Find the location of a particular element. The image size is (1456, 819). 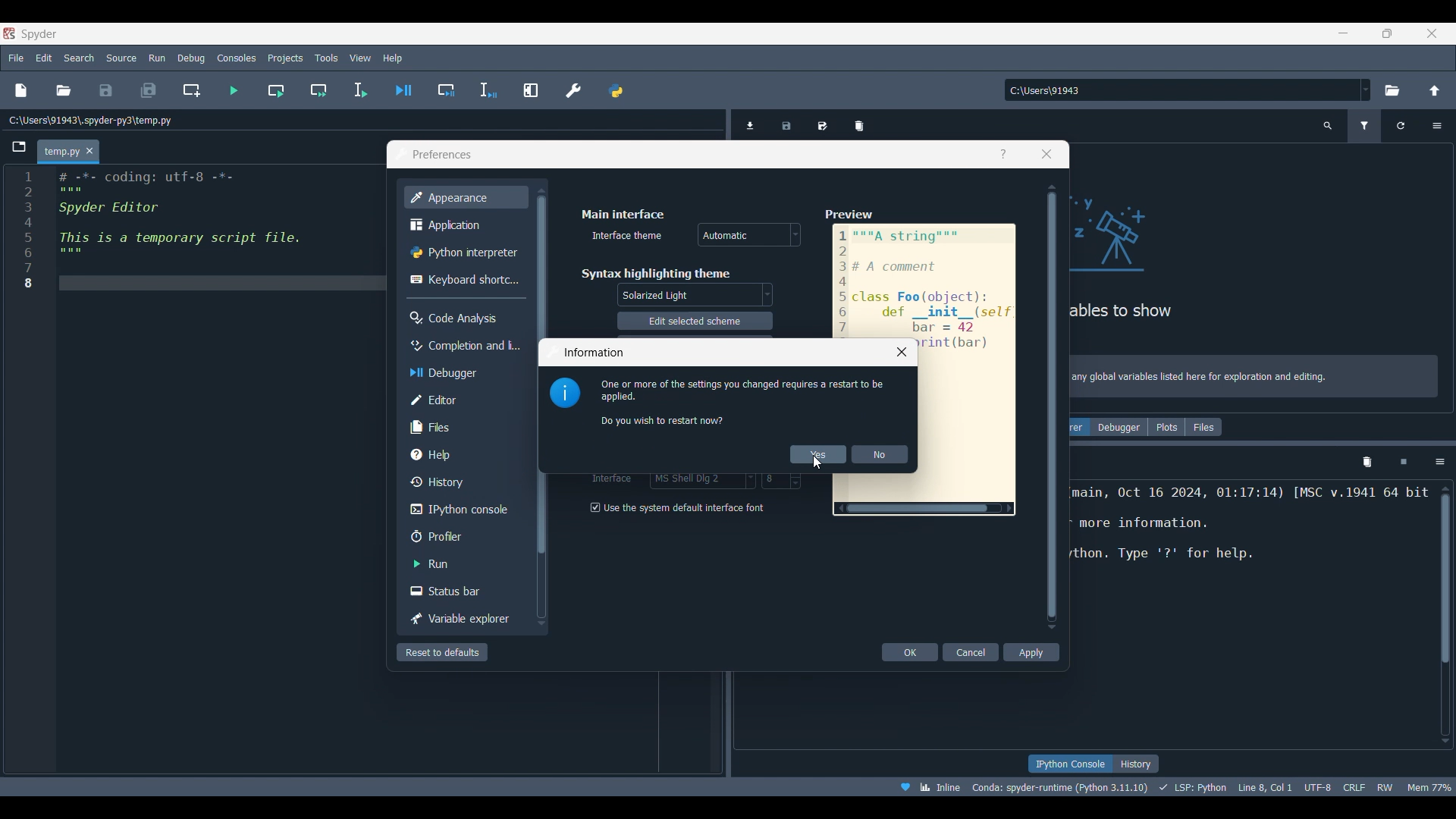

Create new cell at current line is located at coordinates (191, 89).